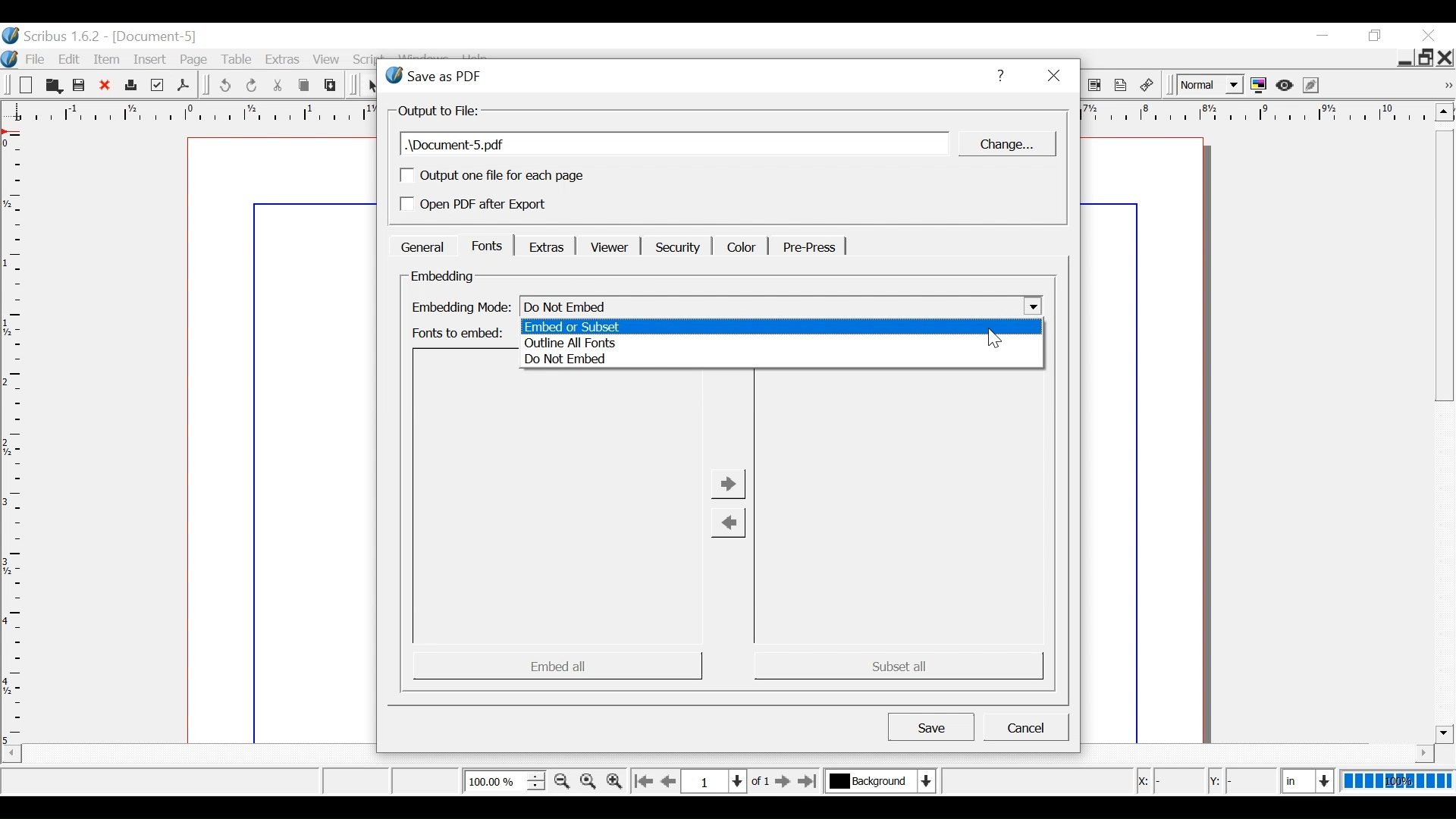  What do you see at coordinates (1309, 779) in the screenshot?
I see `Current position in units` at bounding box center [1309, 779].